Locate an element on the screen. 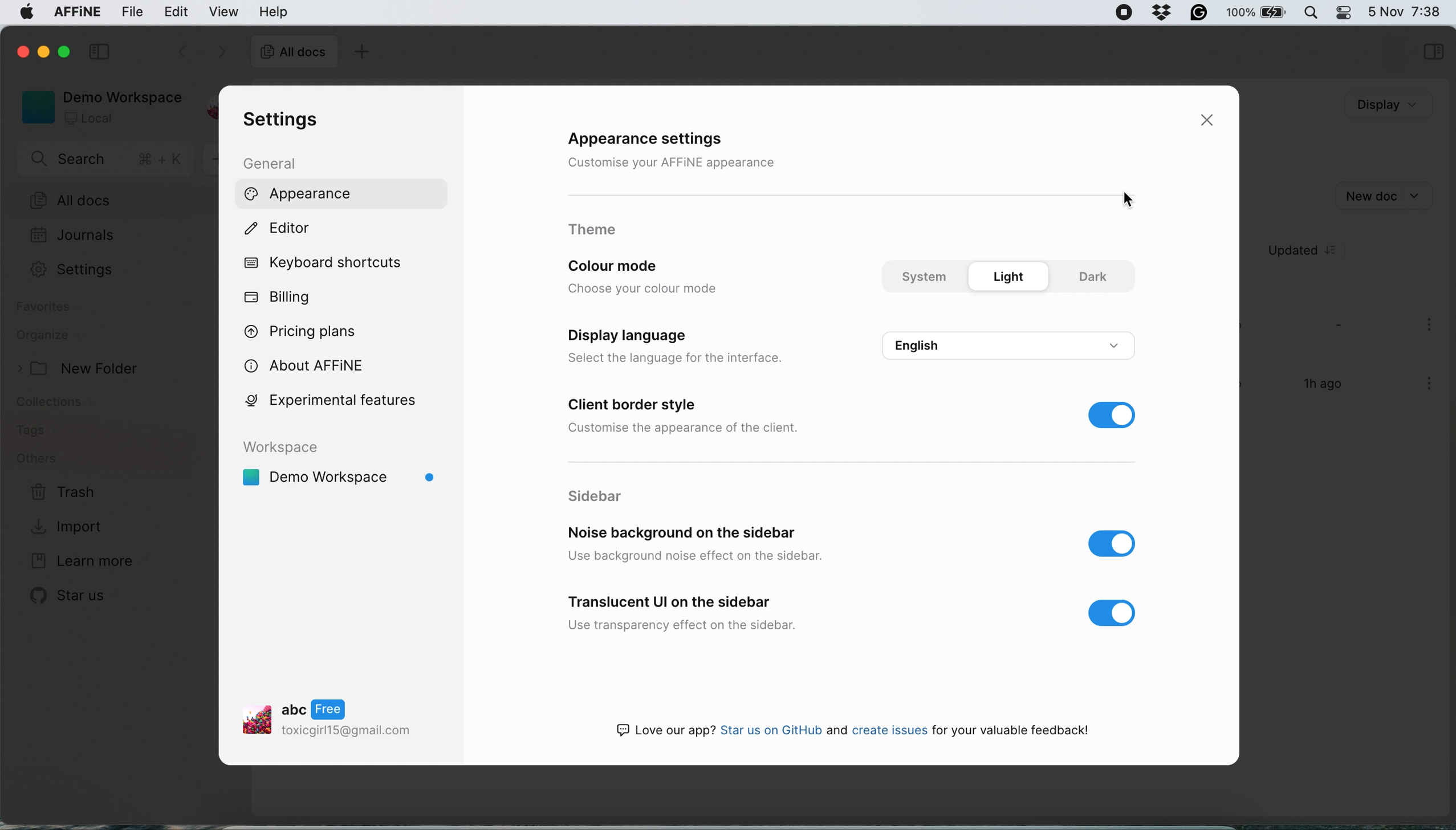 This screenshot has width=1456, height=830. file is located at coordinates (132, 13).